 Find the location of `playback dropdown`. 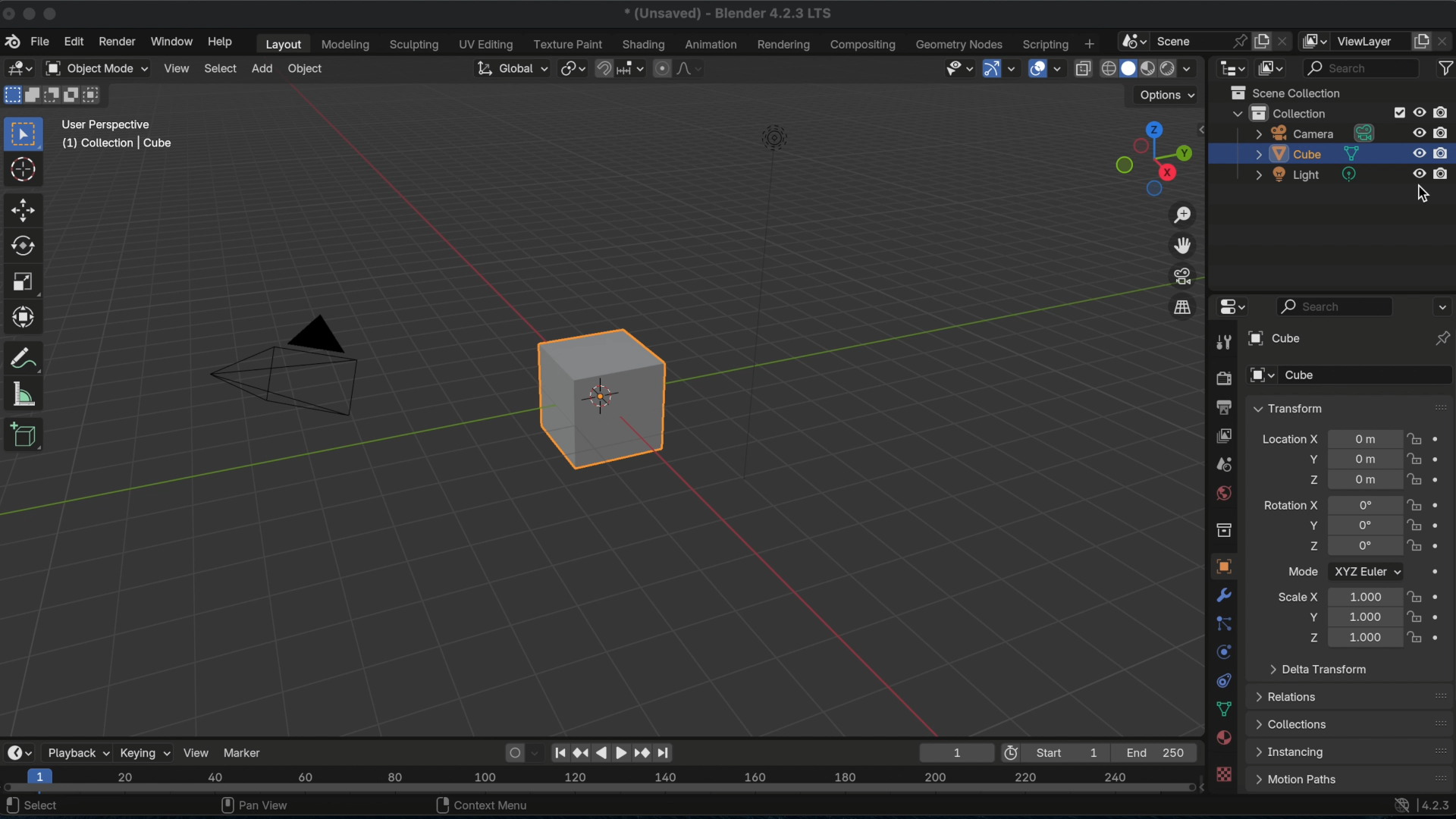

playback dropdown is located at coordinates (78, 750).